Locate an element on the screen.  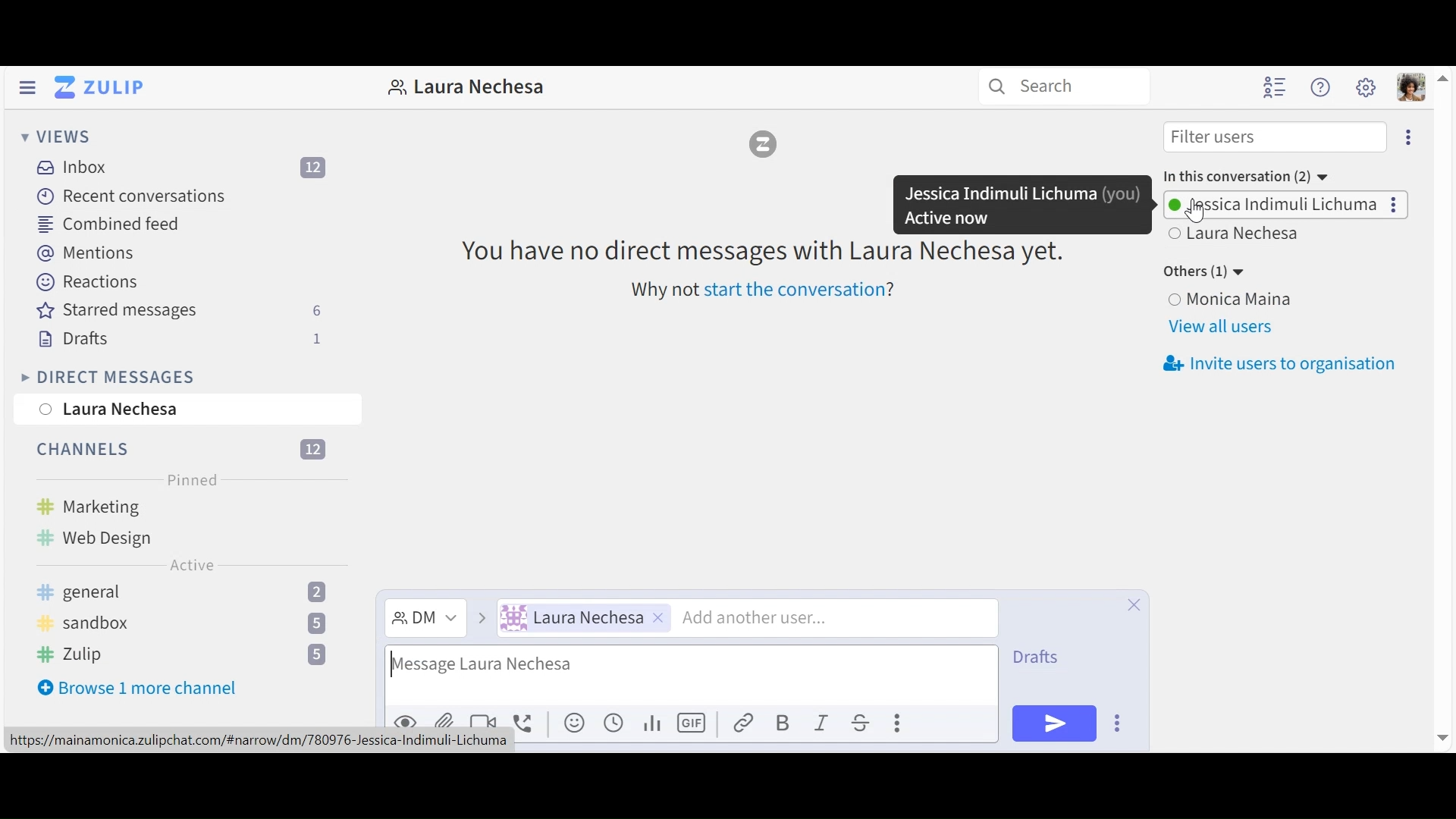
Compose message is located at coordinates (692, 676).